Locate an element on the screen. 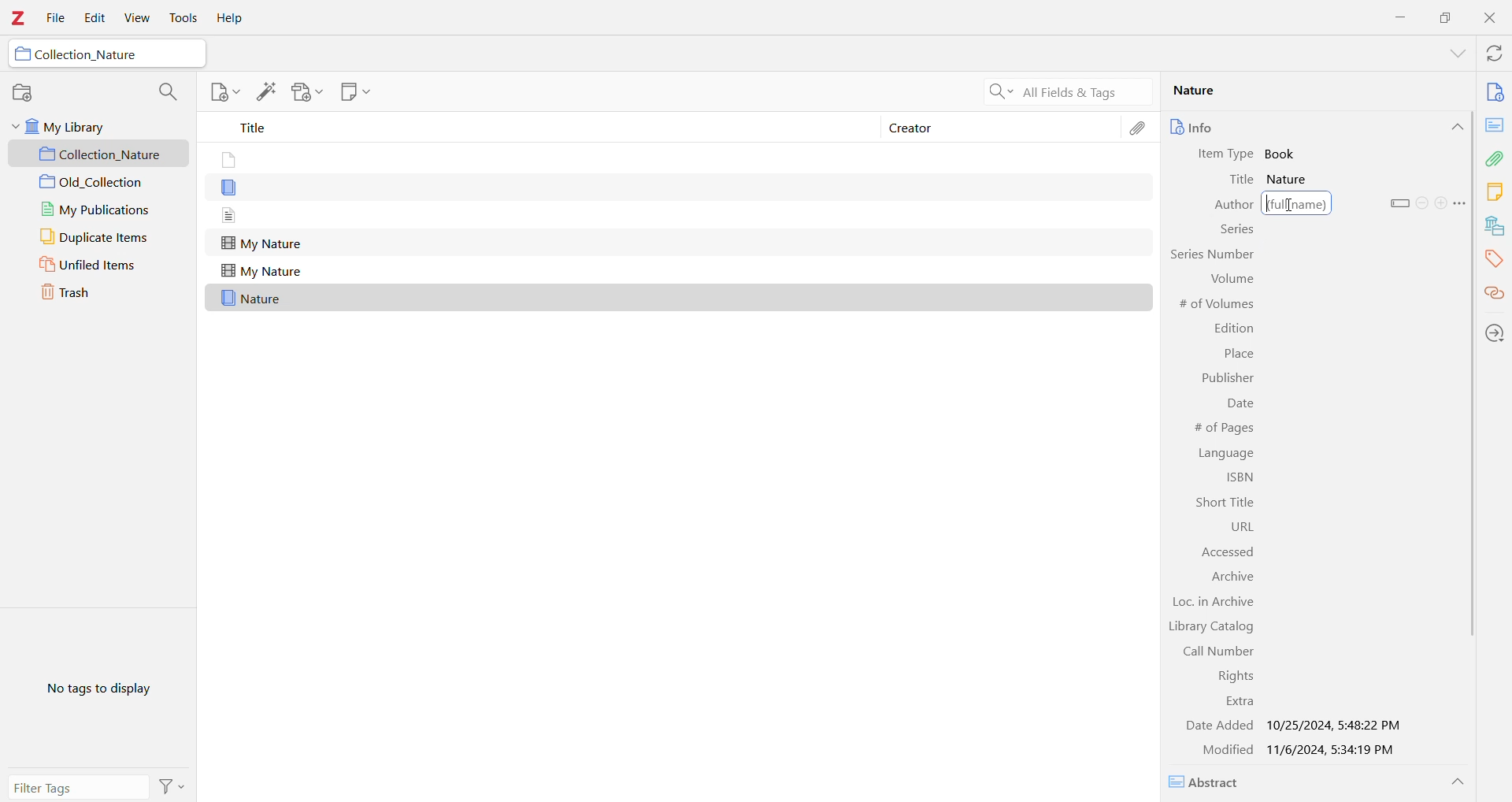  Add Note is located at coordinates (224, 91).